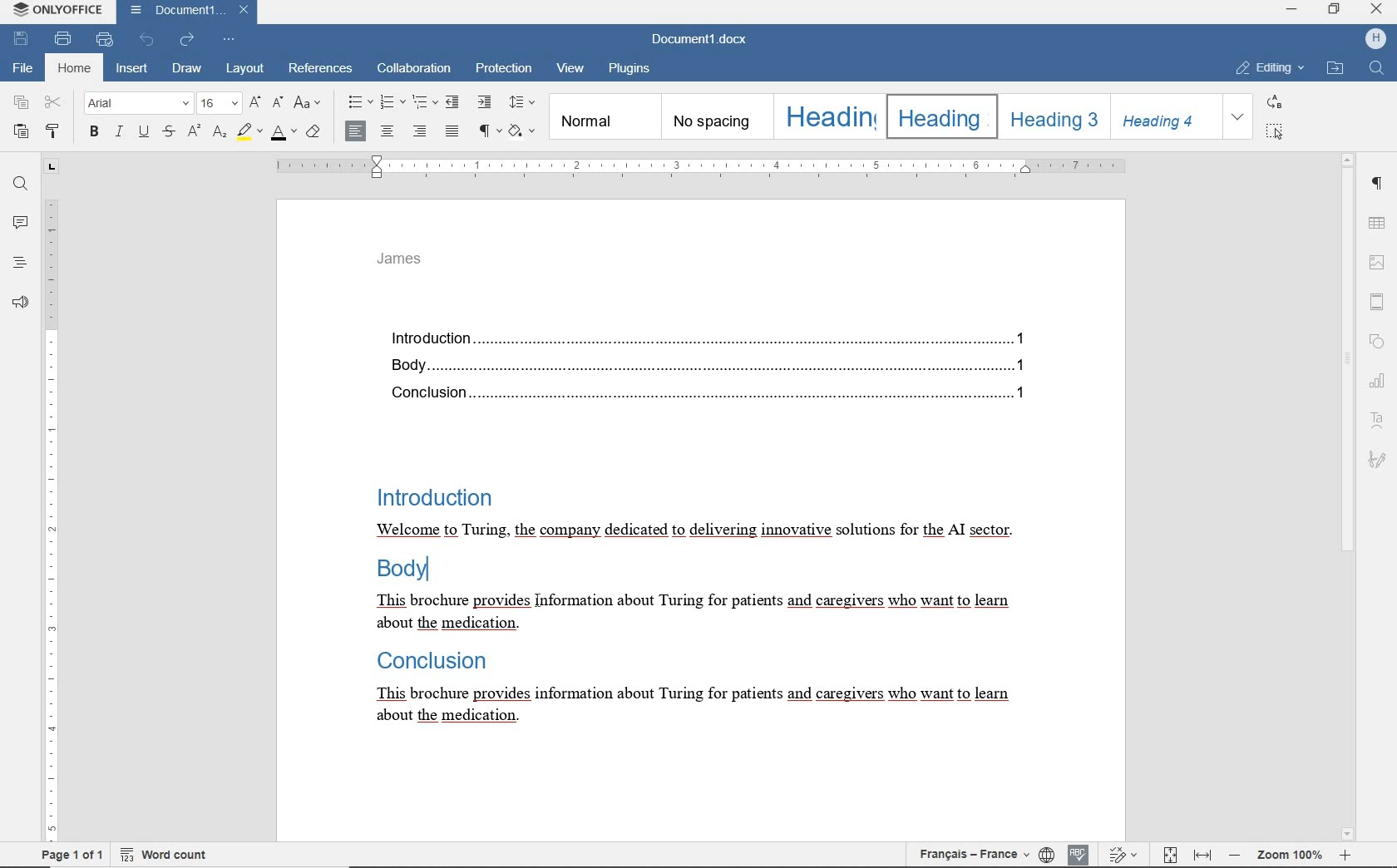  I want to click on RULER, so click(49, 500).